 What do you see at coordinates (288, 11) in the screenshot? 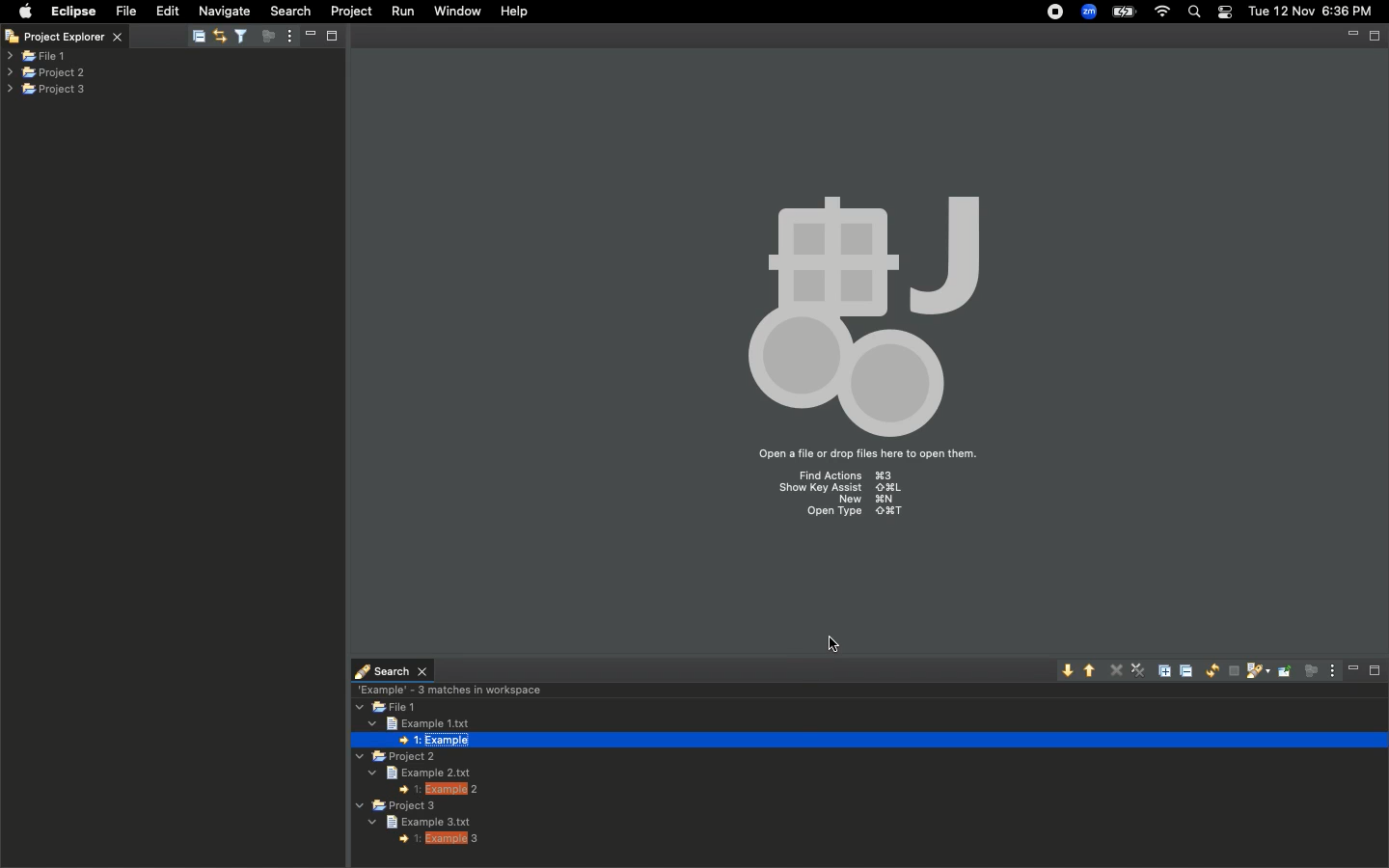
I see `Search` at bounding box center [288, 11].